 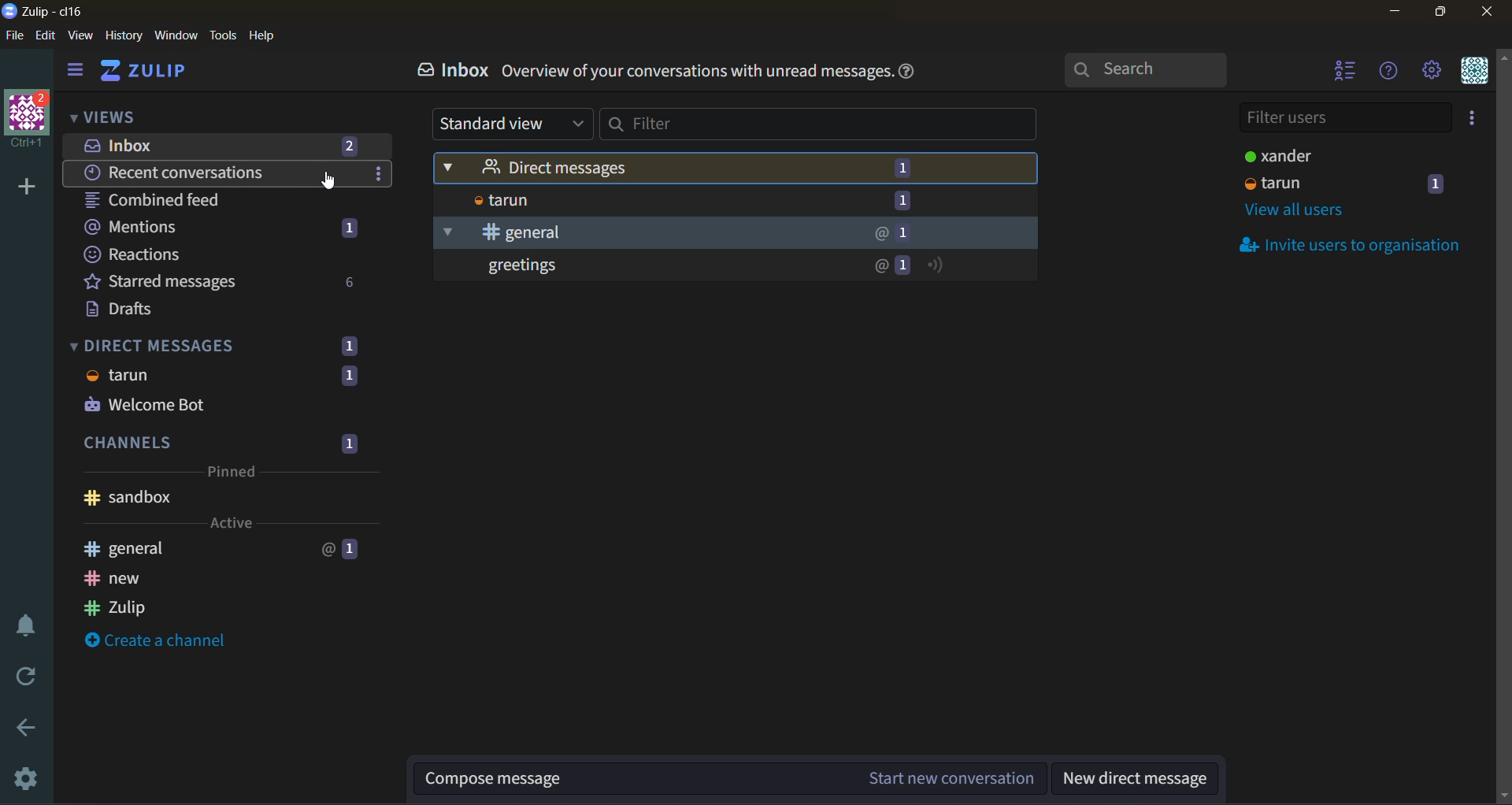 I want to click on create a channel, so click(x=160, y=641).